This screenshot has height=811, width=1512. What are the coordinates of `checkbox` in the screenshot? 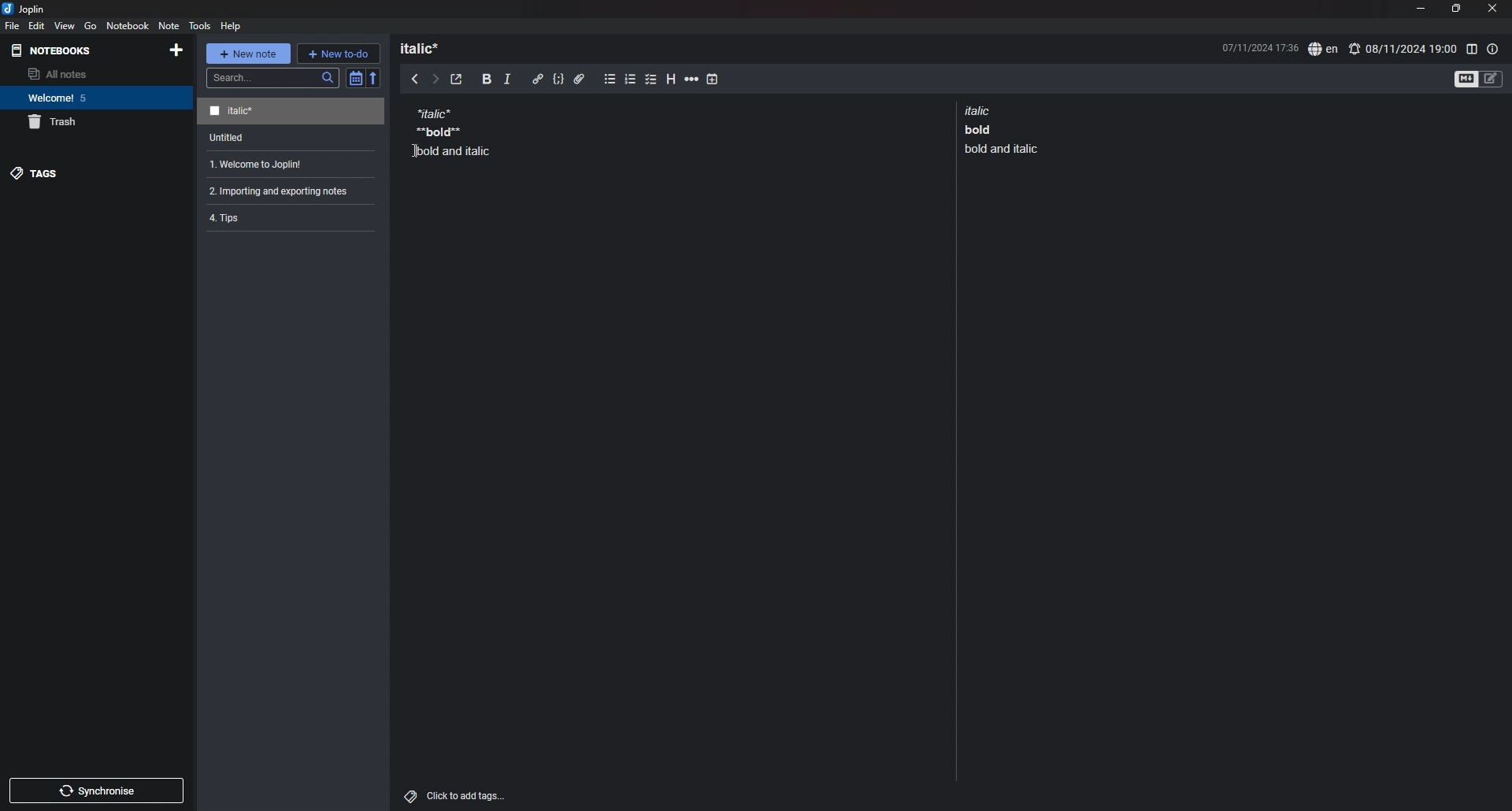 It's located at (651, 80).